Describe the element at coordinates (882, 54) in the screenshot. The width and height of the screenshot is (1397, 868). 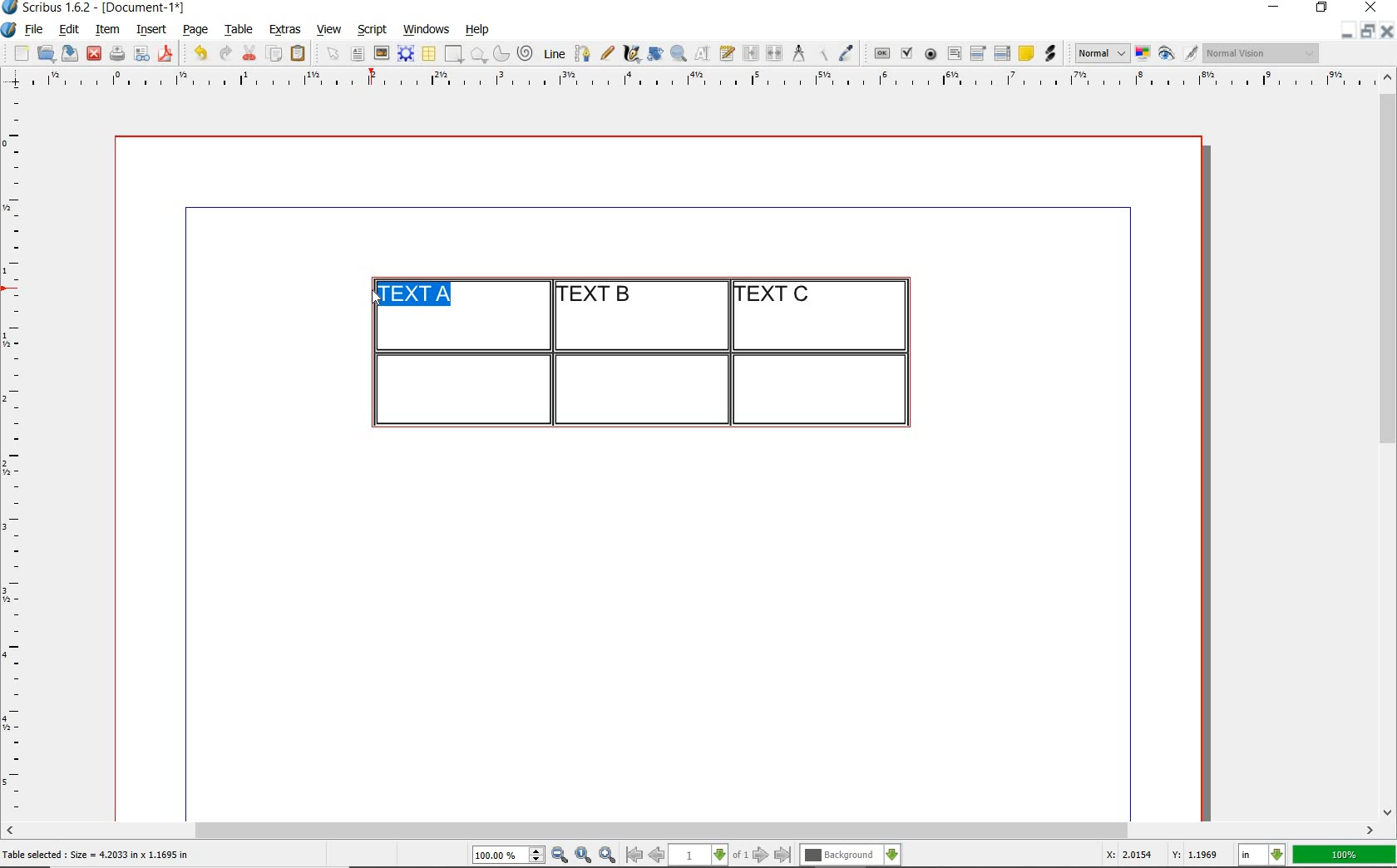
I see `pdf push button` at that location.